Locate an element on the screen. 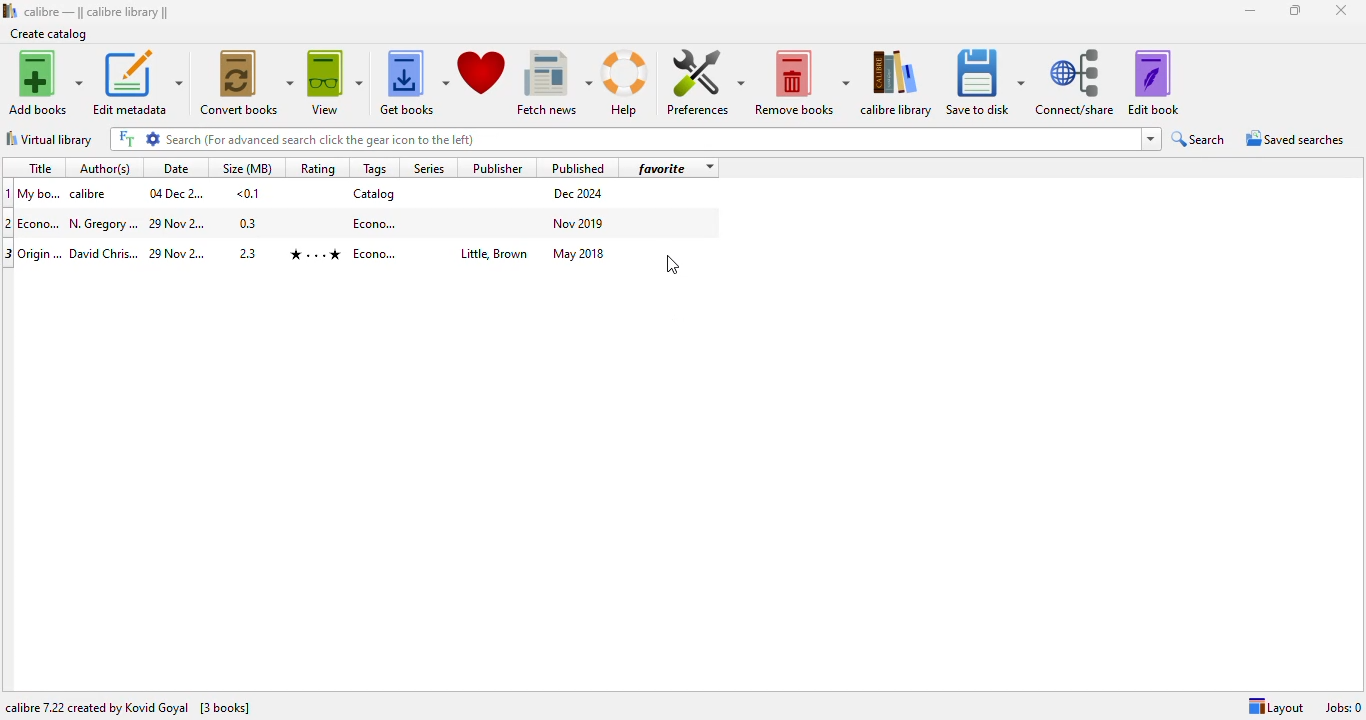 This screenshot has height=720, width=1366. favorite is located at coordinates (662, 168).